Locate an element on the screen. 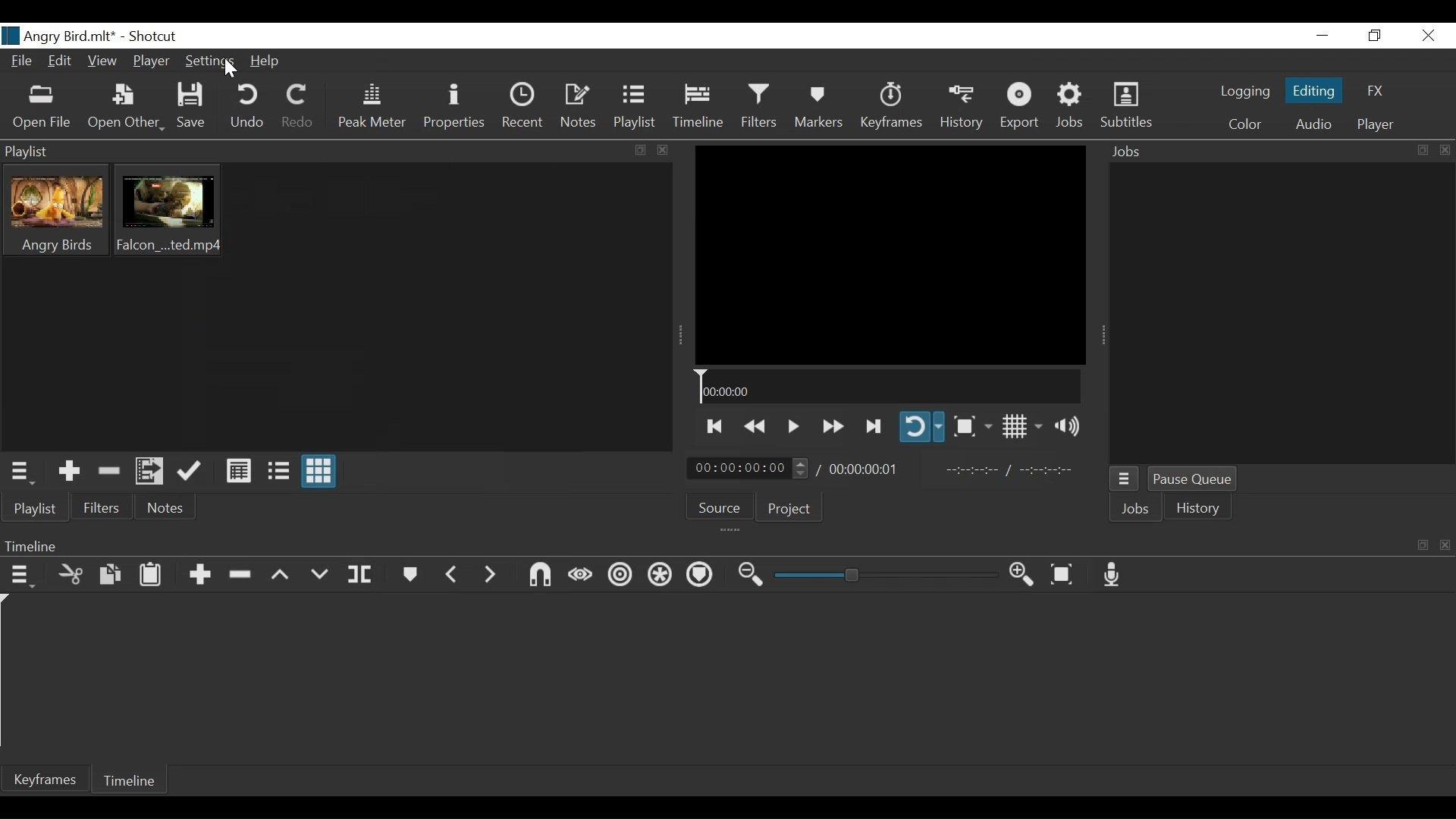 The image size is (1456, 819). logging is located at coordinates (1243, 91).